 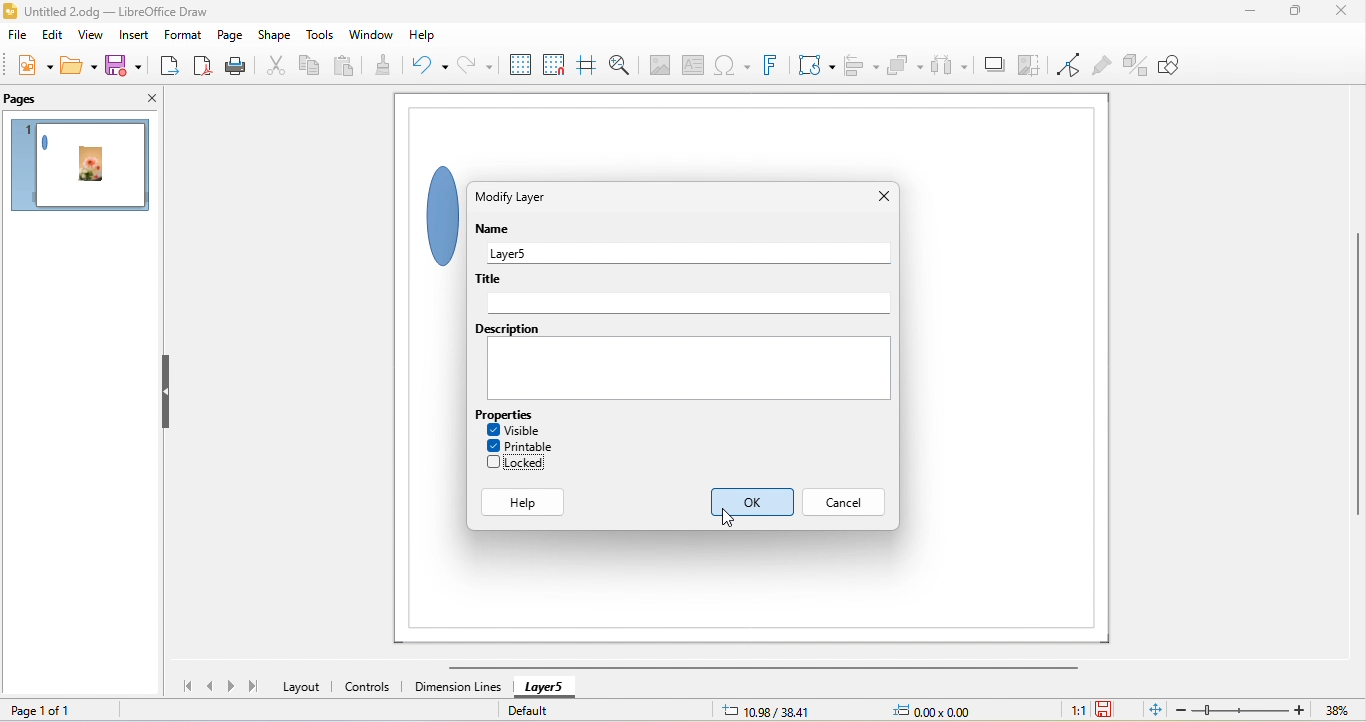 I want to click on layer 5, so click(x=544, y=689).